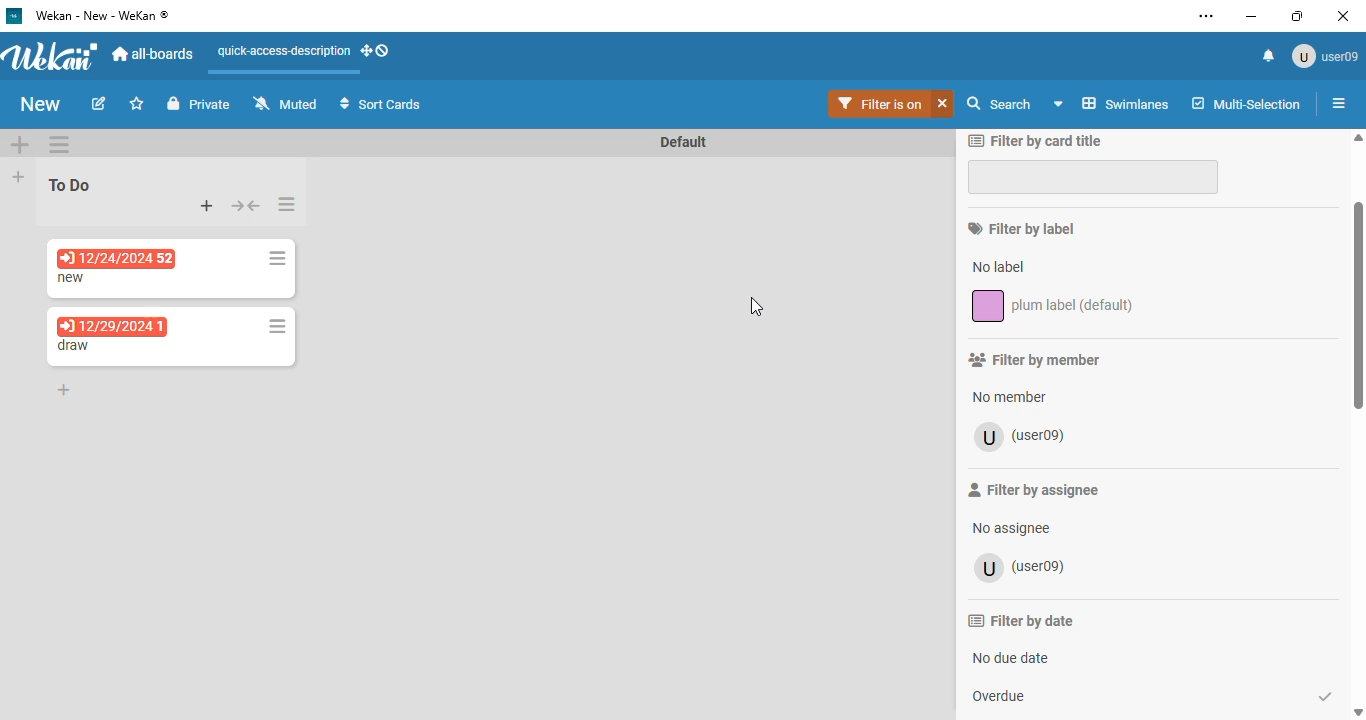 The image size is (1366, 720). What do you see at coordinates (1036, 139) in the screenshot?
I see `filter by card title` at bounding box center [1036, 139].